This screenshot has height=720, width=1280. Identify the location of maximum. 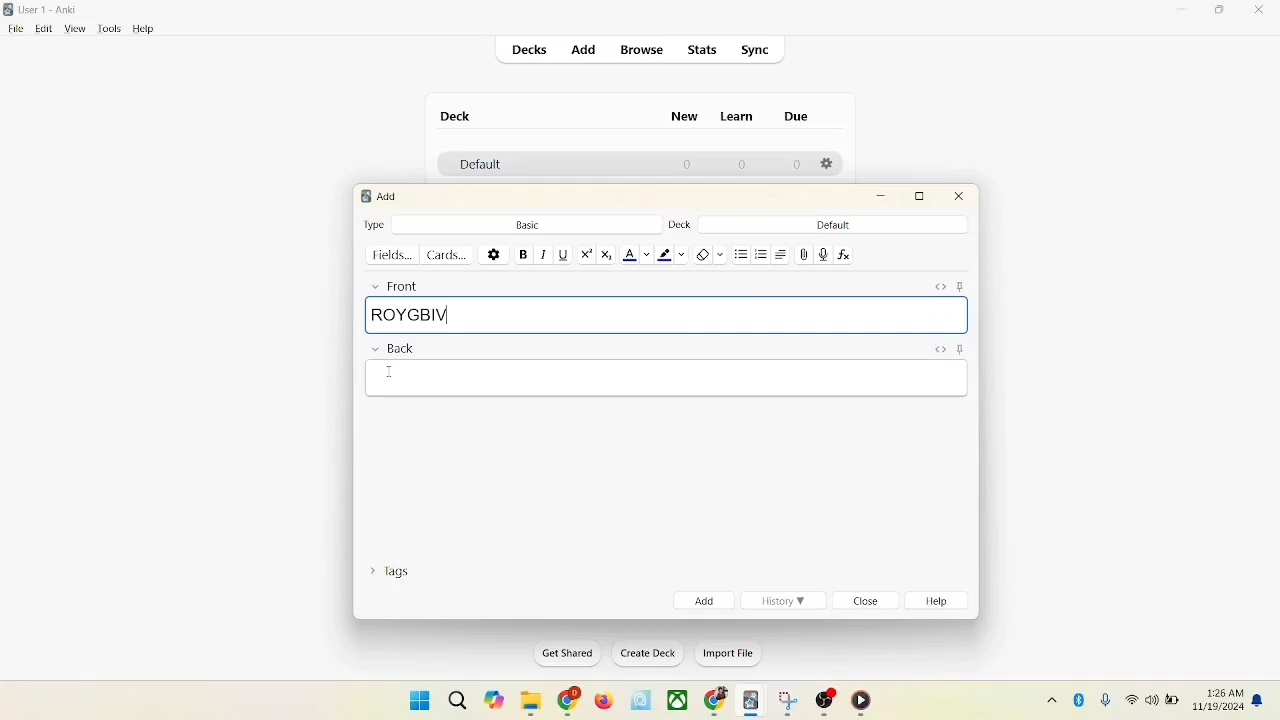
(923, 196).